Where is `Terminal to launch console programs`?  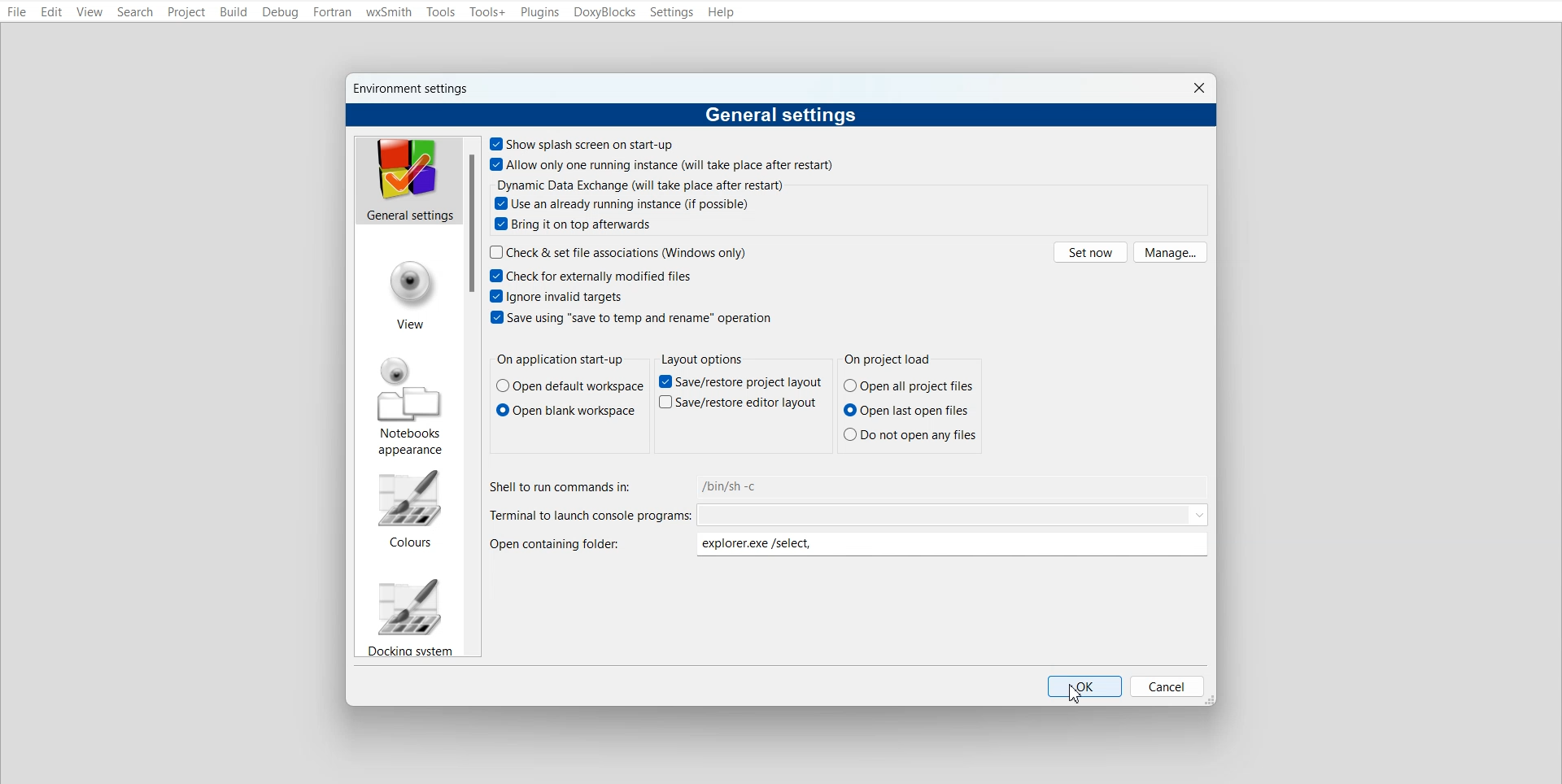
Terminal to launch console programs is located at coordinates (850, 515).